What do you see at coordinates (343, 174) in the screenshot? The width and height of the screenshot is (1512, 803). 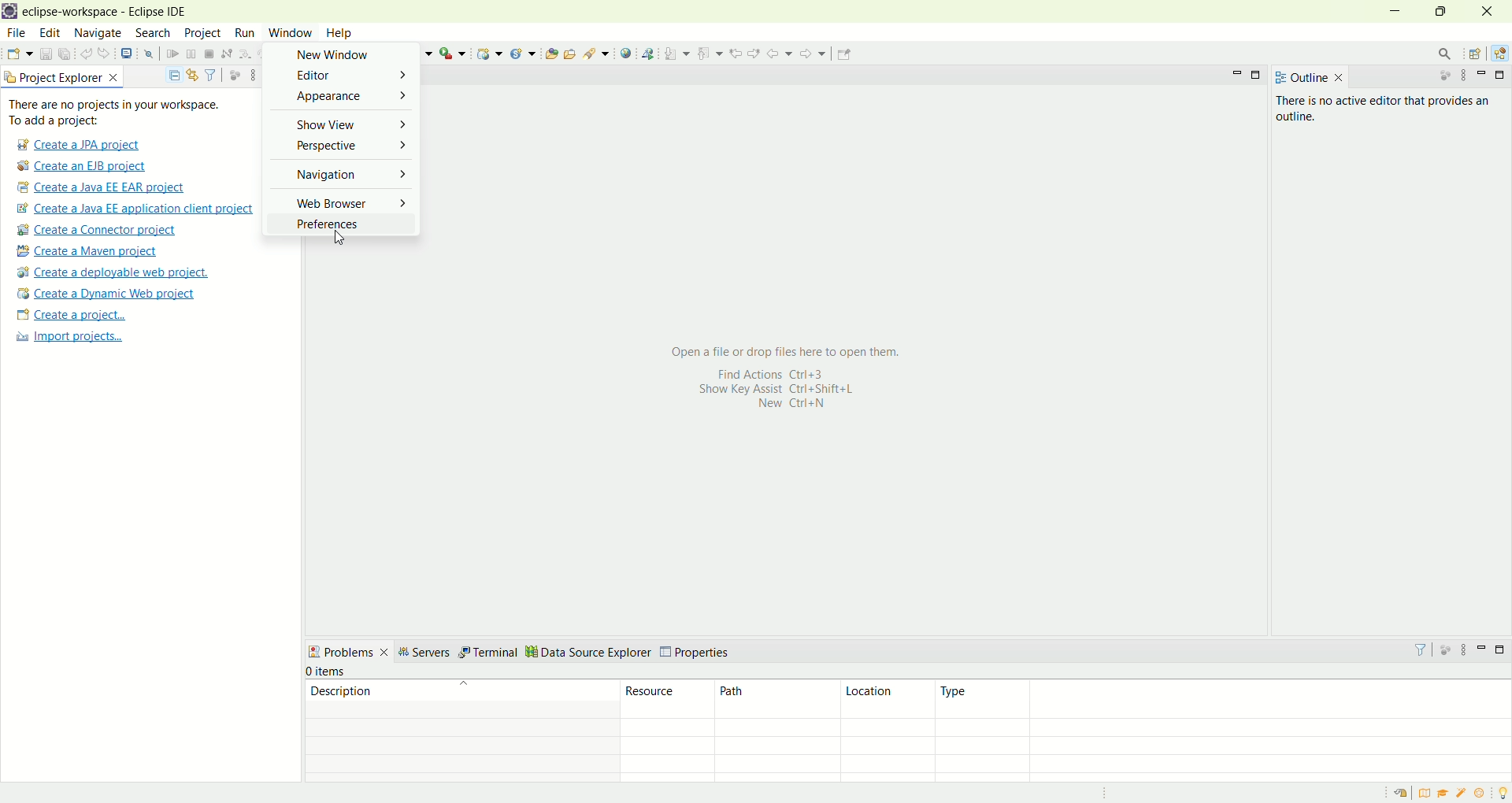 I see `navigation` at bounding box center [343, 174].